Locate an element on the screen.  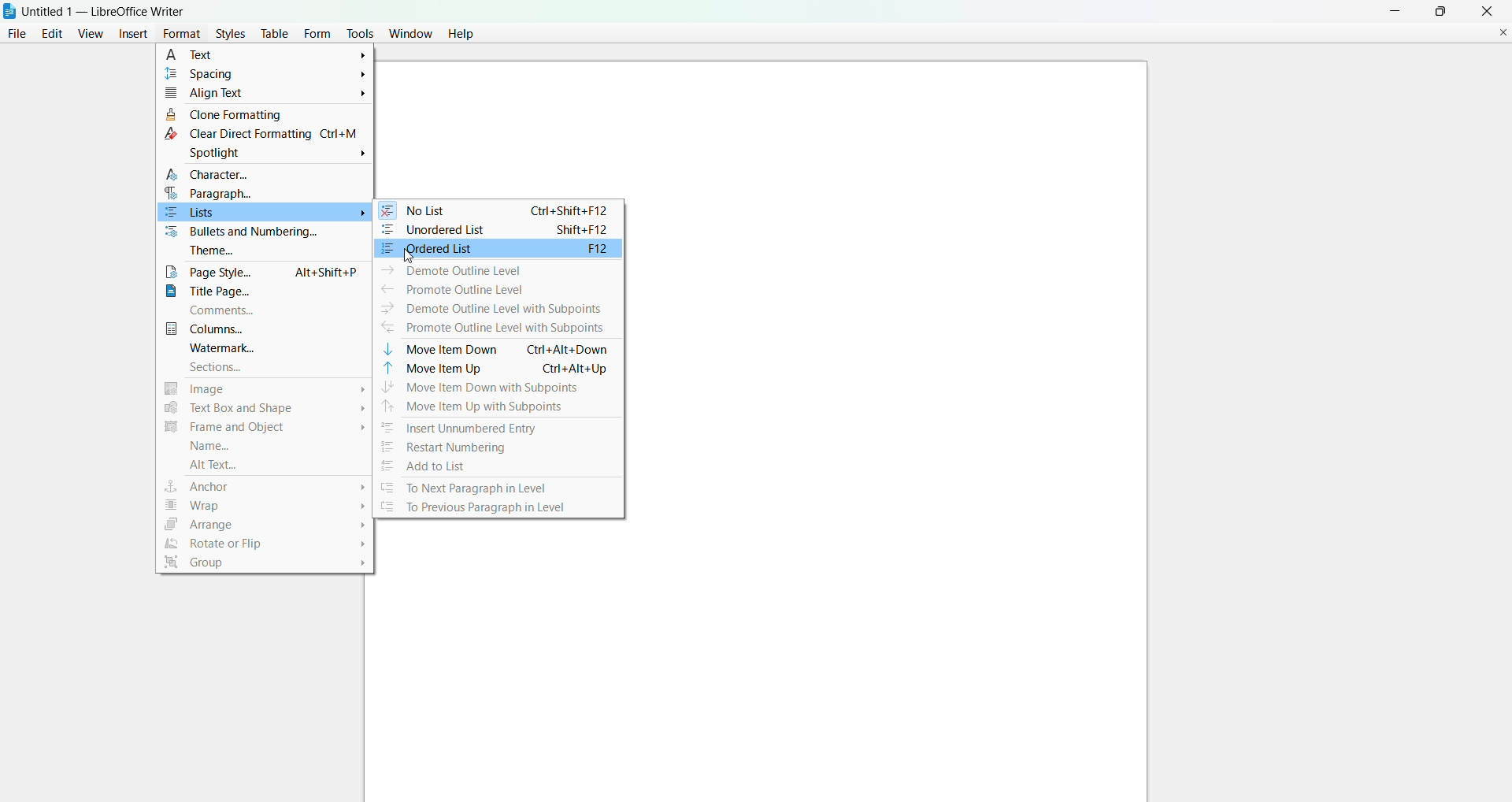
tools is located at coordinates (360, 32).